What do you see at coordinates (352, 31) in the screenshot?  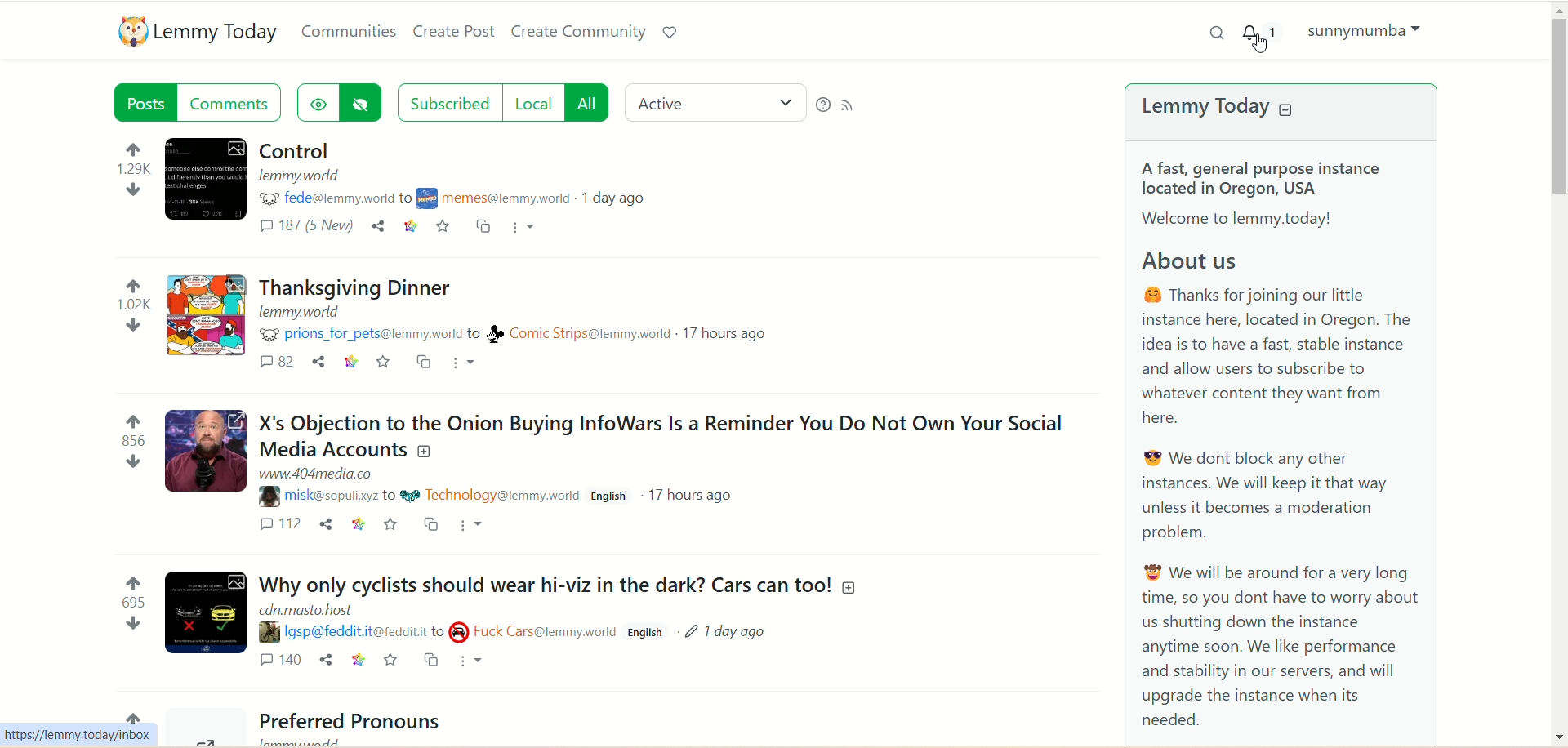 I see `communities` at bounding box center [352, 31].